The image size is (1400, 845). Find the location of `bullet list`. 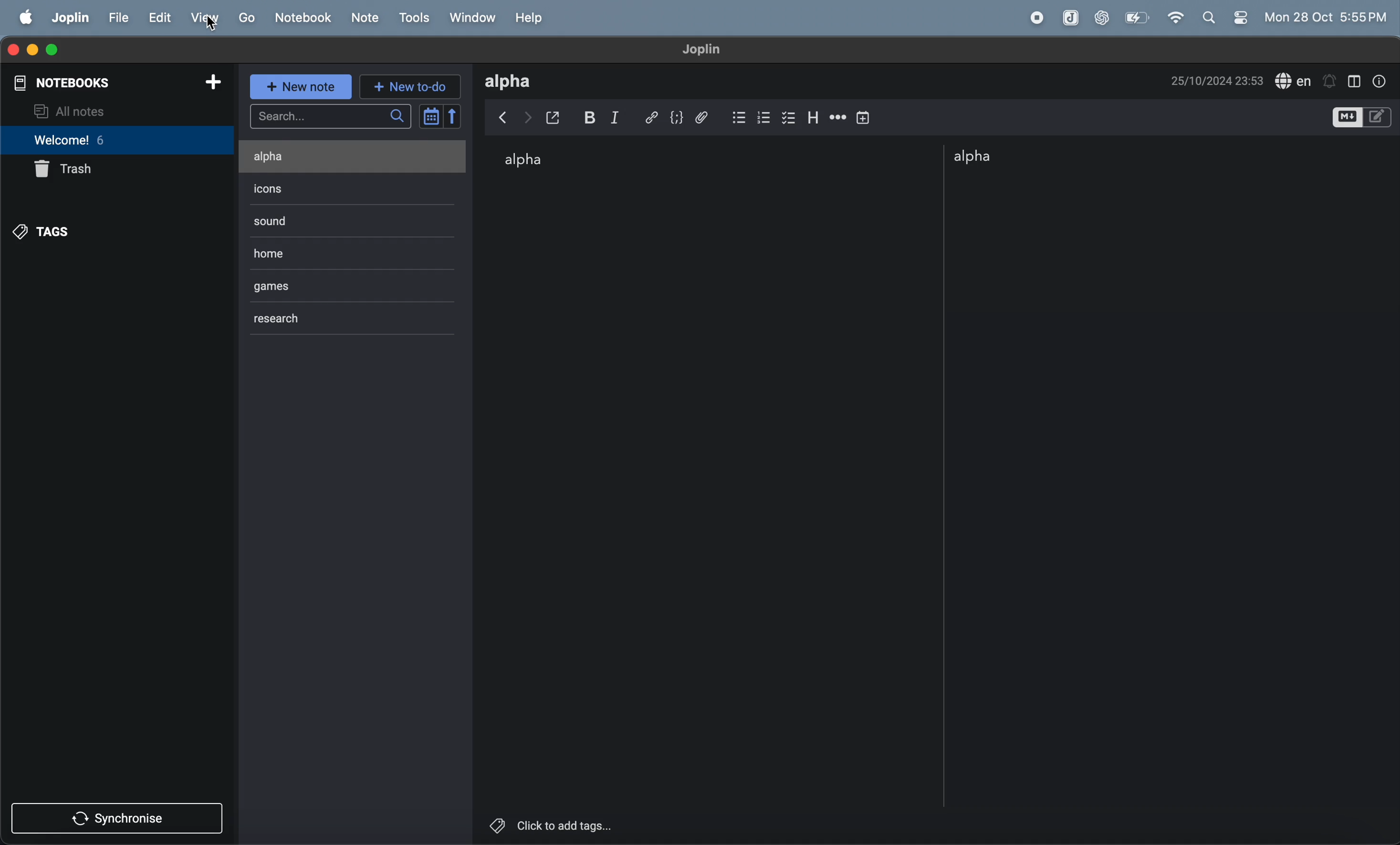

bullet list is located at coordinates (738, 115).